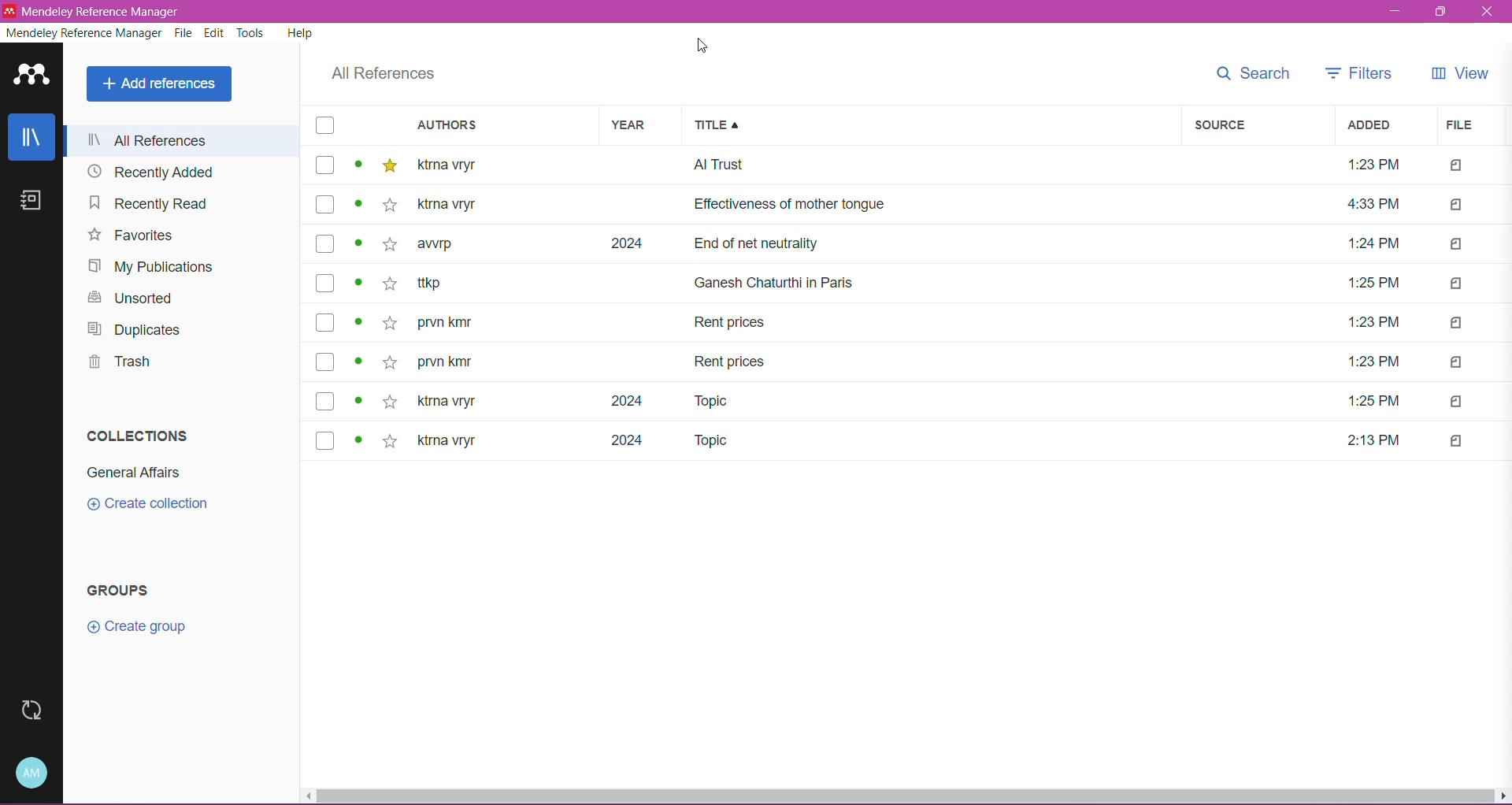 The width and height of the screenshot is (1512, 805). I want to click on awrp 2024 End of net neutrality 1:24 PM, so click(913, 243).